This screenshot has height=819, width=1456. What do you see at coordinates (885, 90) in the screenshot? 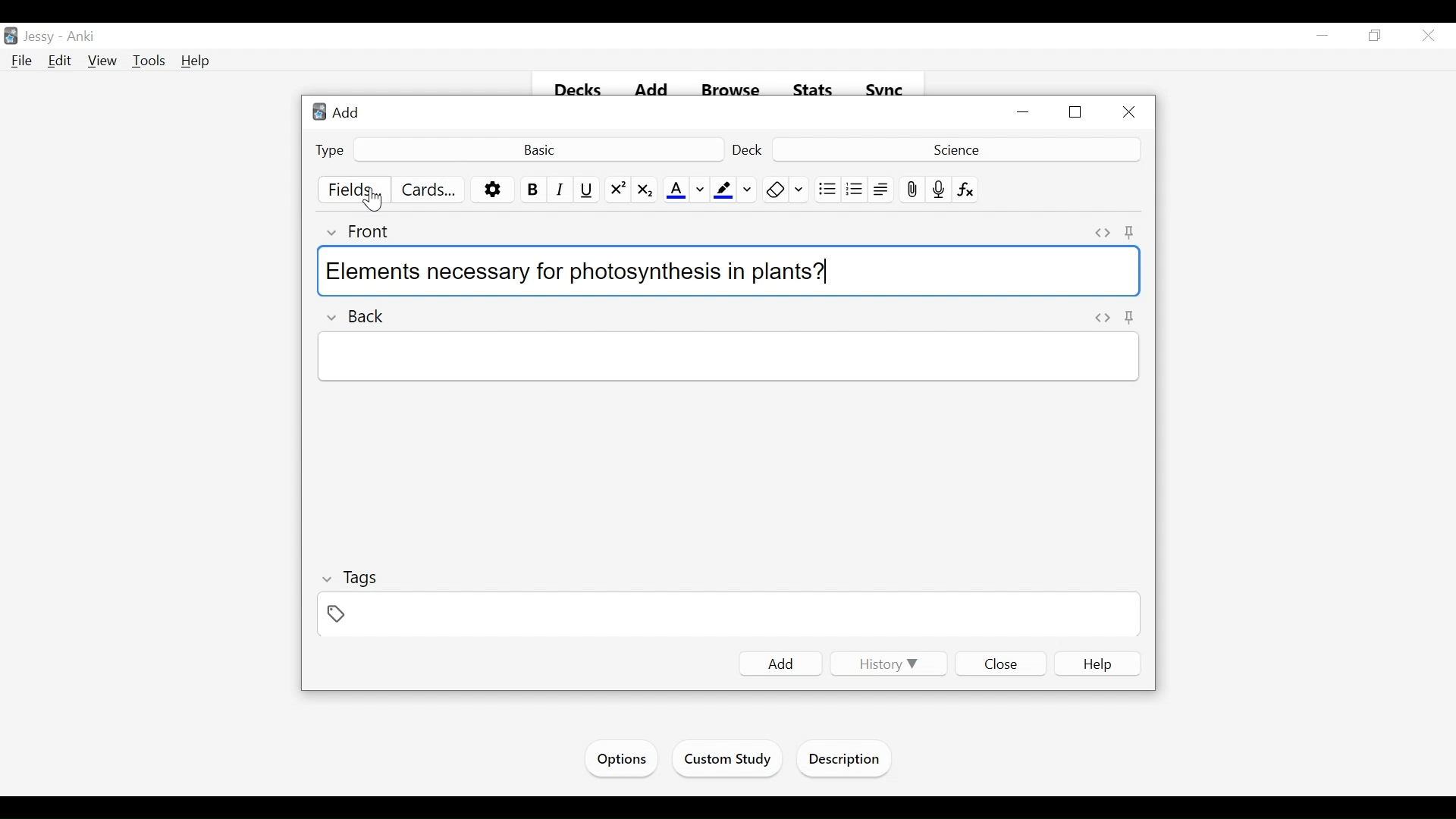
I see `Sync` at bounding box center [885, 90].